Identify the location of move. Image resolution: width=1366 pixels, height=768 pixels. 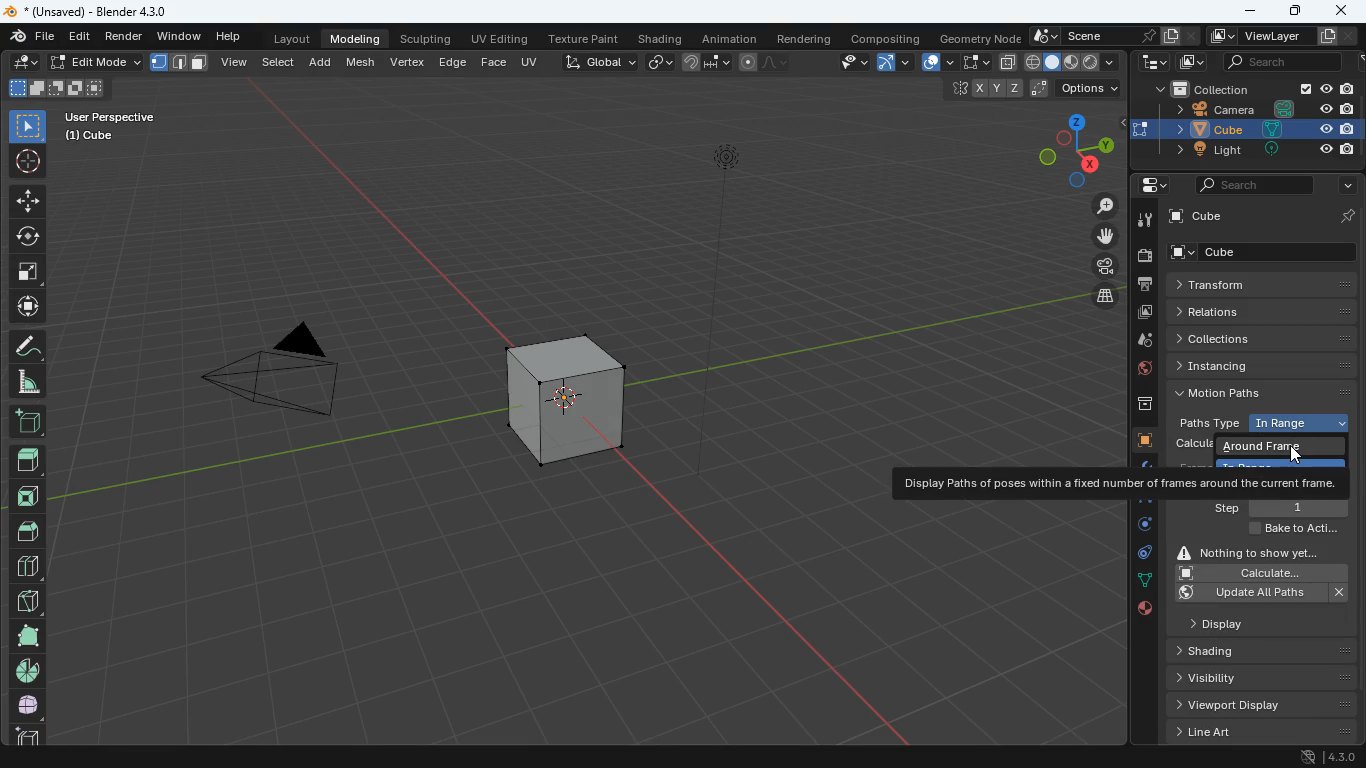
(1096, 236).